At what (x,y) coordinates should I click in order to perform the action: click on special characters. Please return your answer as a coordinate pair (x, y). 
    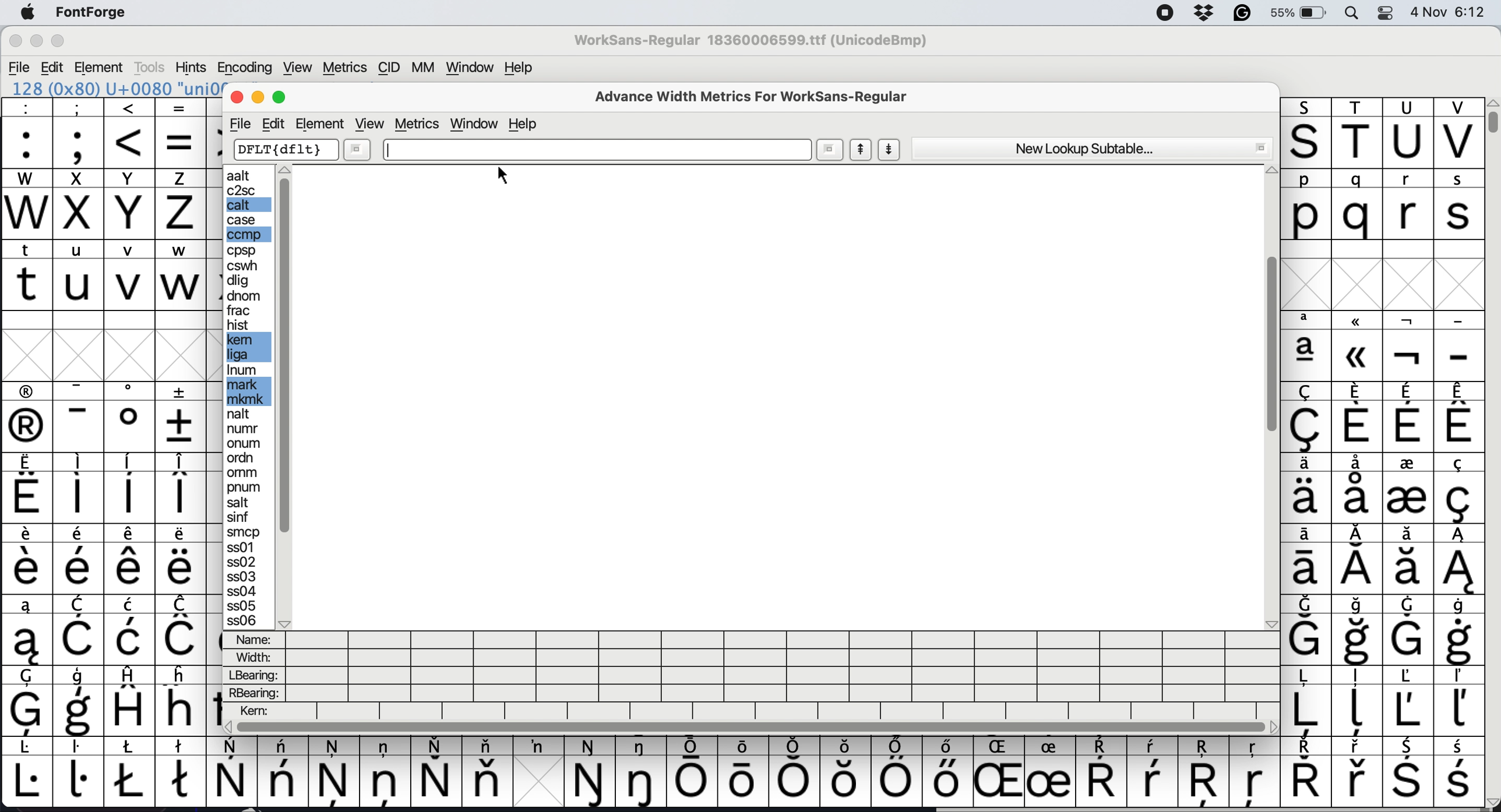
    Looking at the image, I should click on (113, 143).